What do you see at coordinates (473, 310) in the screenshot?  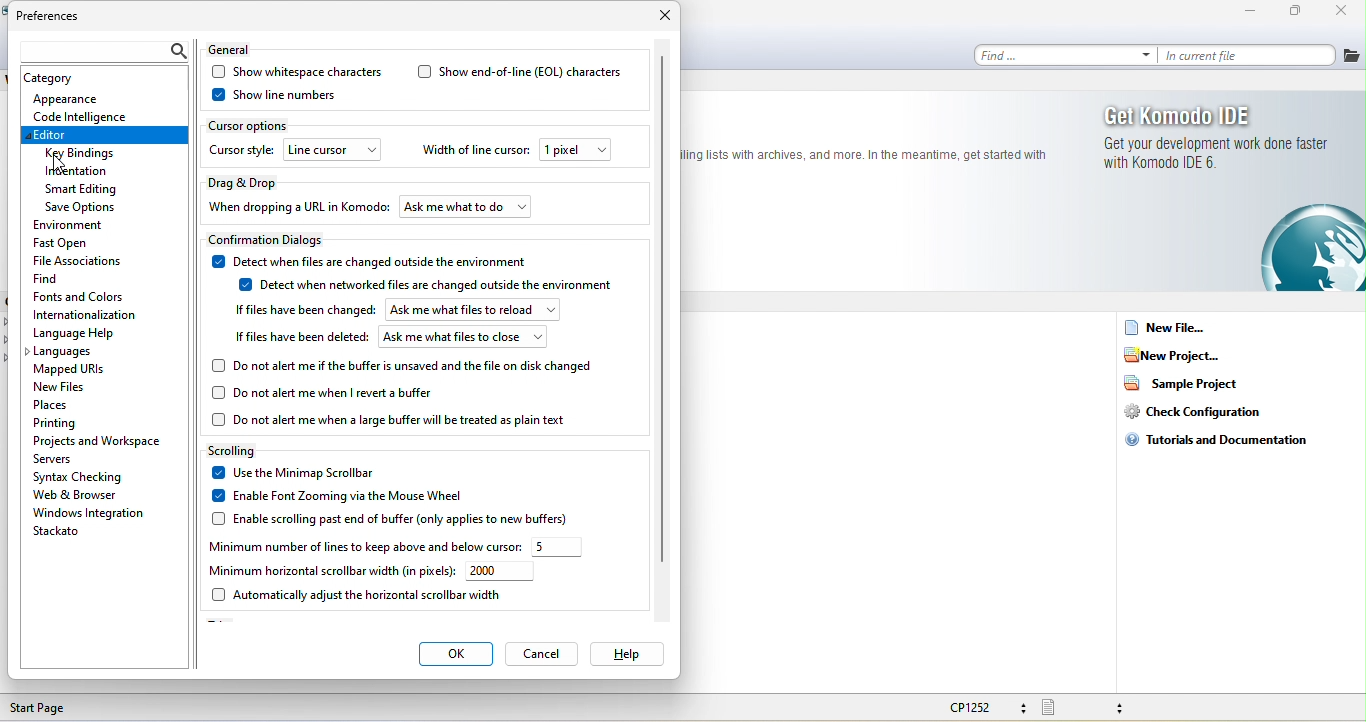 I see `ask me what files to reload` at bounding box center [473, 310].